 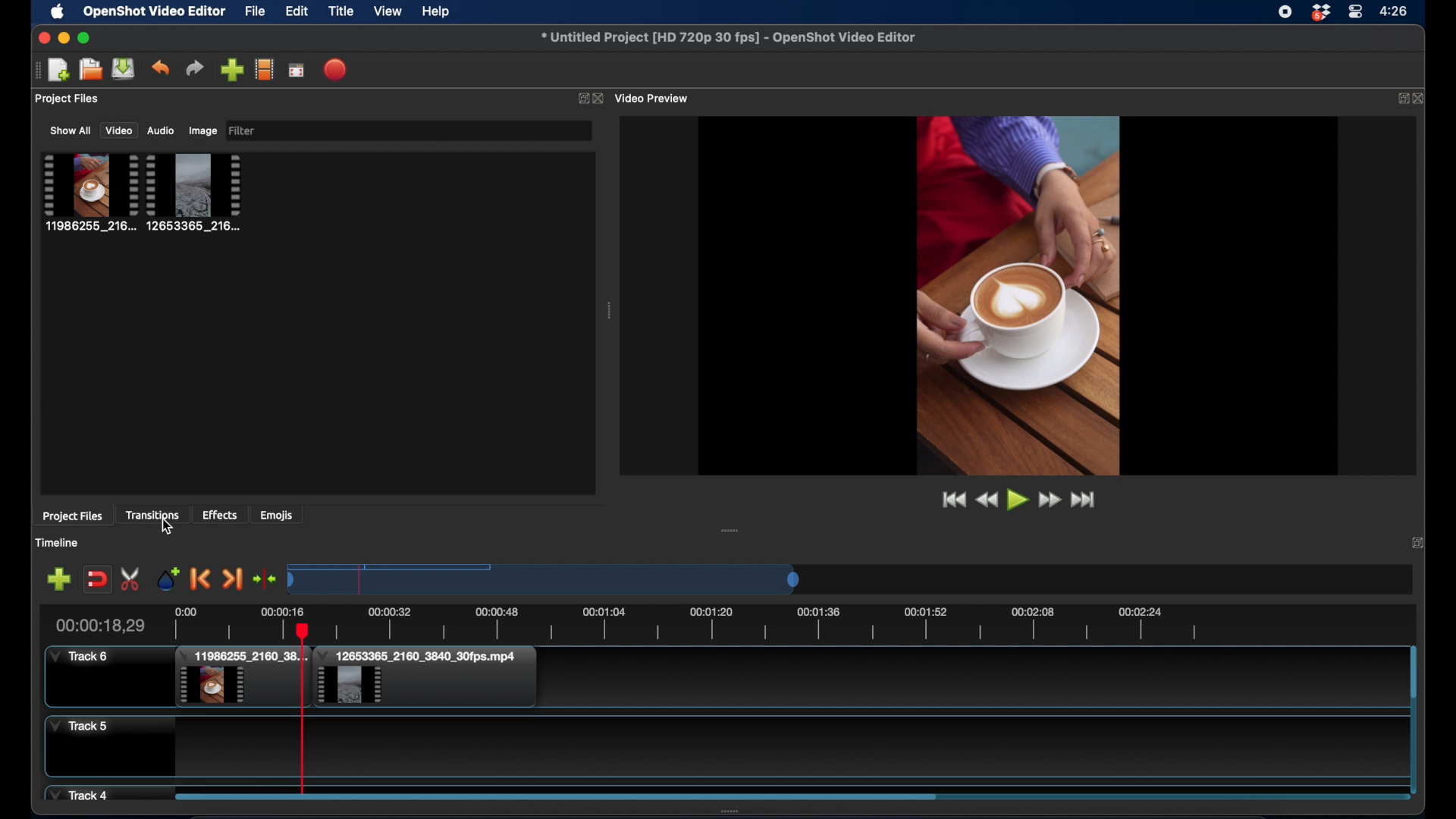 What do you see at coordinates (67, 99) in the screenshot?
I see `project files` at bounding box center [67, 99].